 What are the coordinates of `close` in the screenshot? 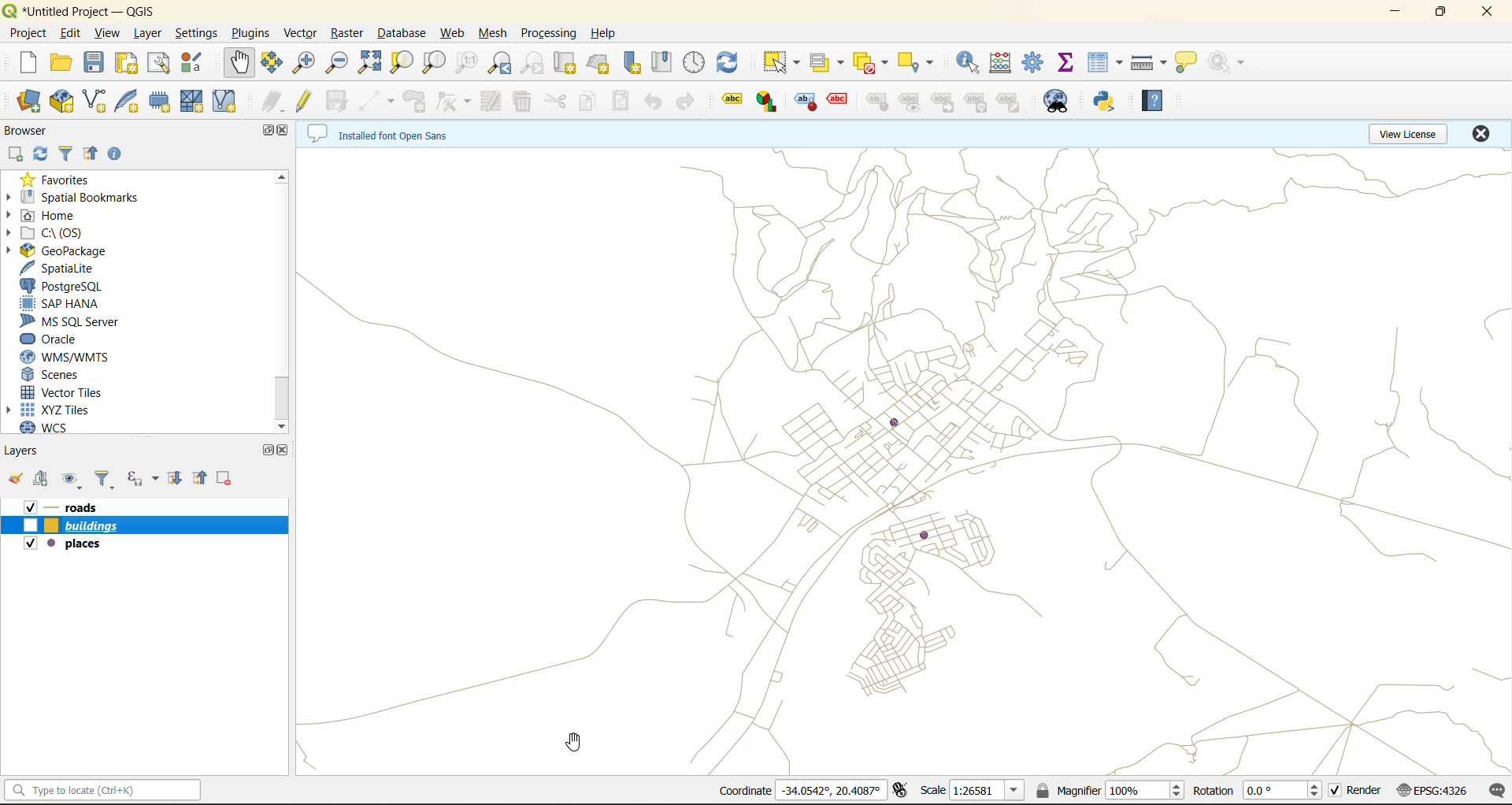 It's located at (284, 450).